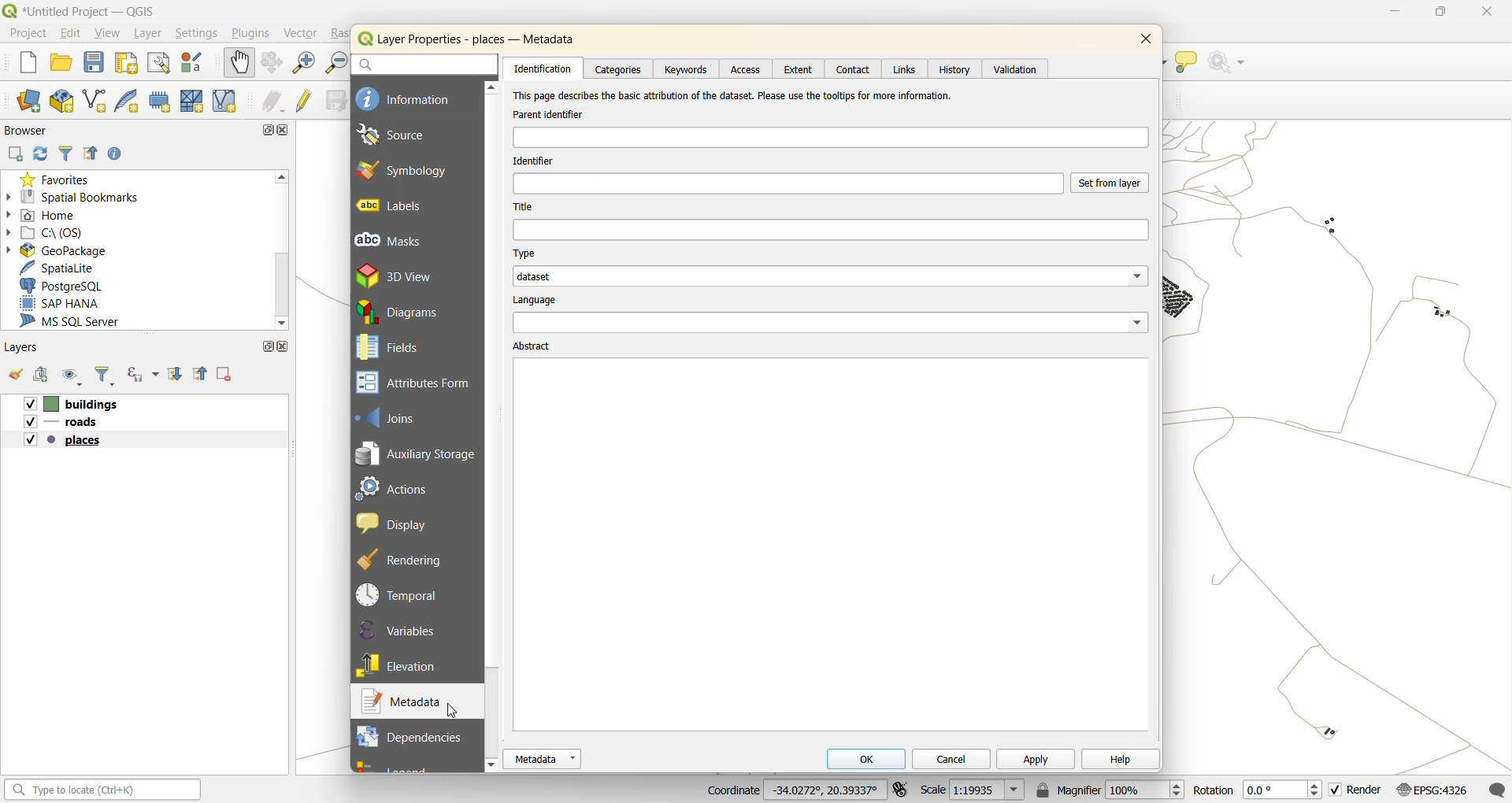 Image resolution: width=1512 pixels, height=803 pixels. Describe the element at coordinates (790, 183) in the screenshot. I see `identifier` at that location.